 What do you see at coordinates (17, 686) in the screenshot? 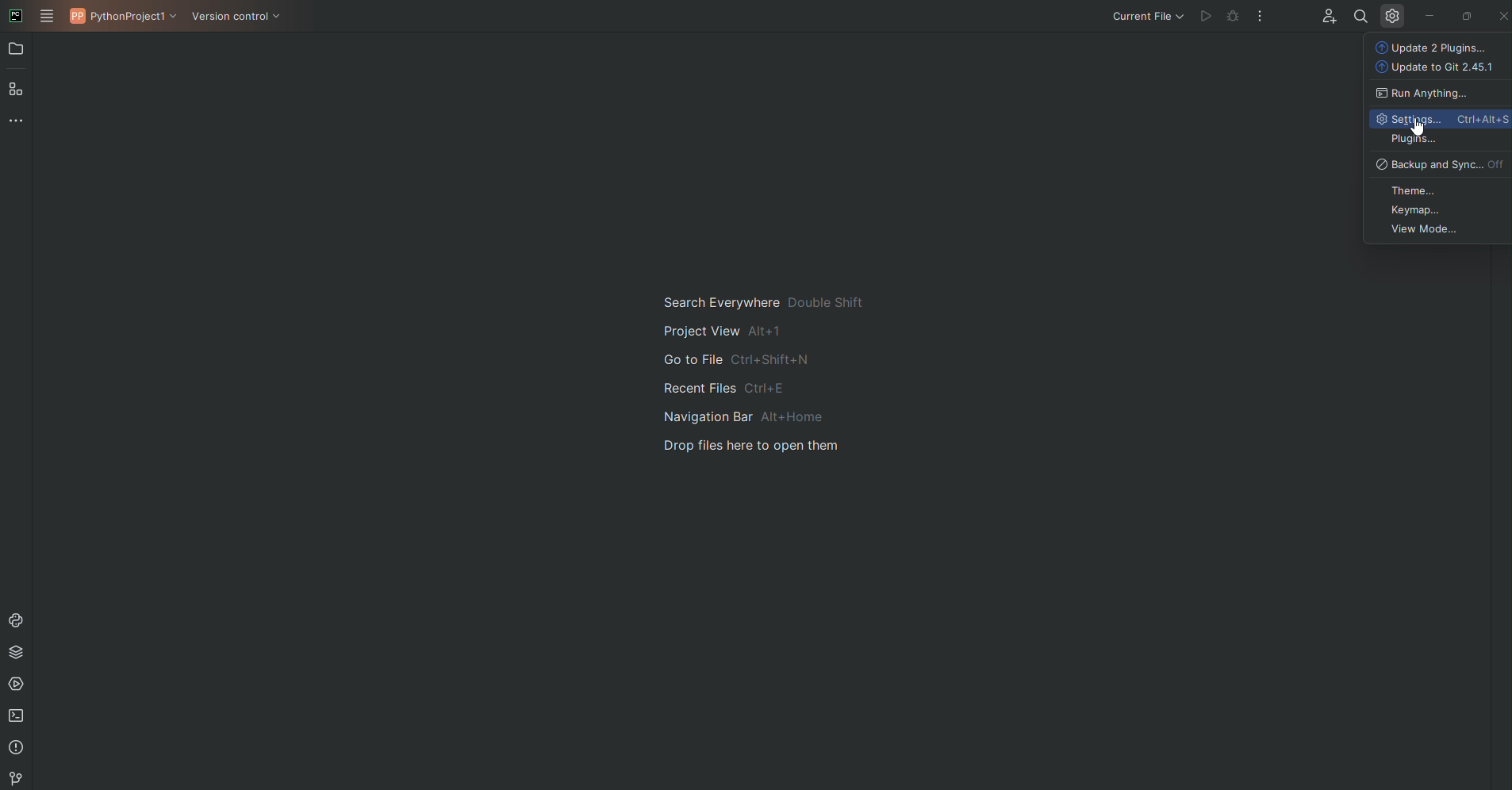
I see `Services` at bounding box center [17, 686].